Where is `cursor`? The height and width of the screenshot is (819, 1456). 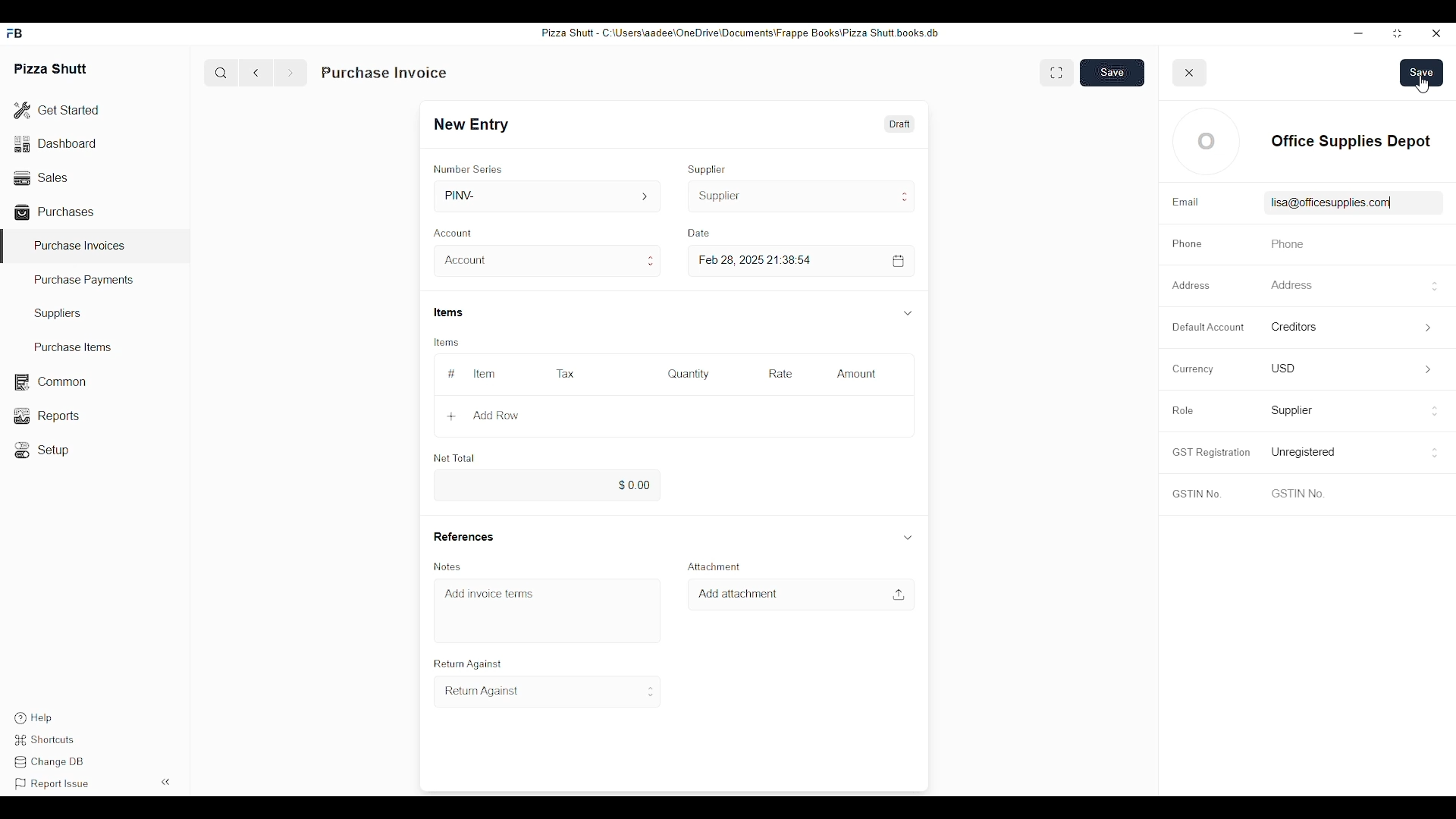 cursor is located at coordinates (1423, 84).